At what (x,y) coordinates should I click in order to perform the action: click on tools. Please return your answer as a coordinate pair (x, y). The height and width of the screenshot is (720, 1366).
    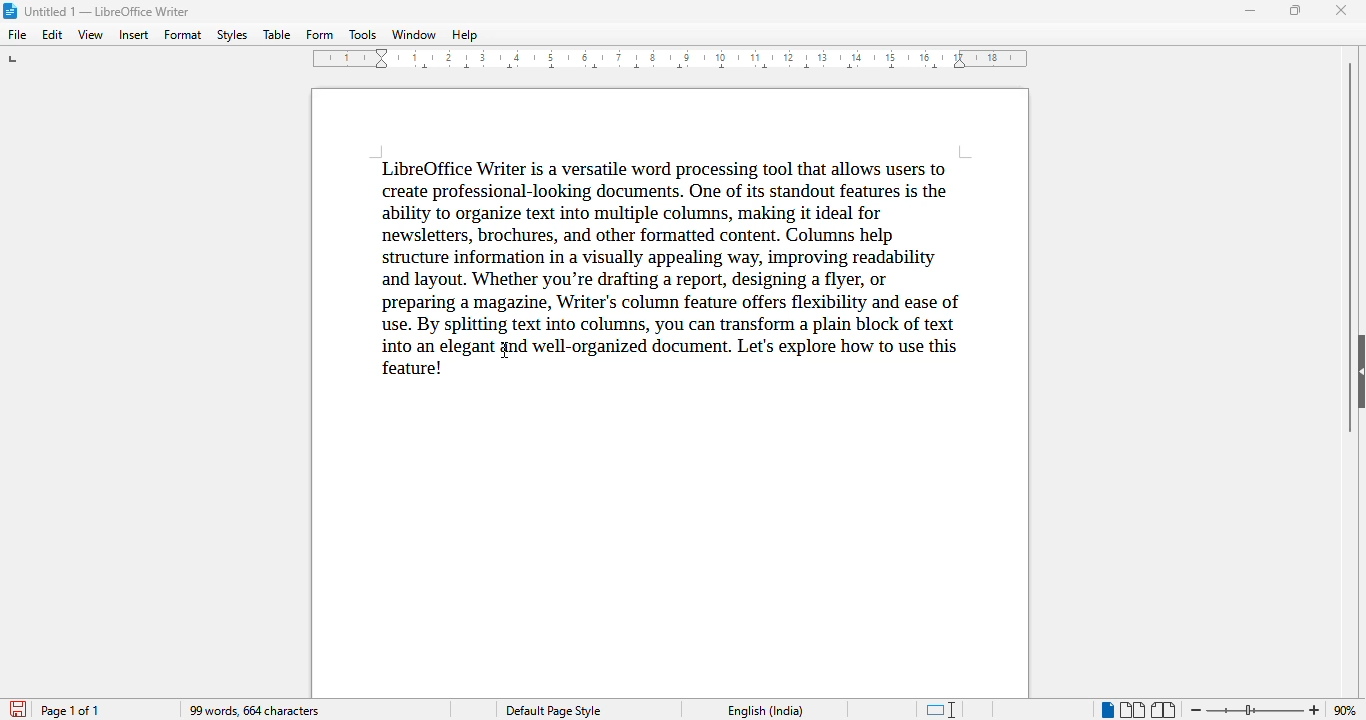
    Looking at the image, I should click on (362, 34).